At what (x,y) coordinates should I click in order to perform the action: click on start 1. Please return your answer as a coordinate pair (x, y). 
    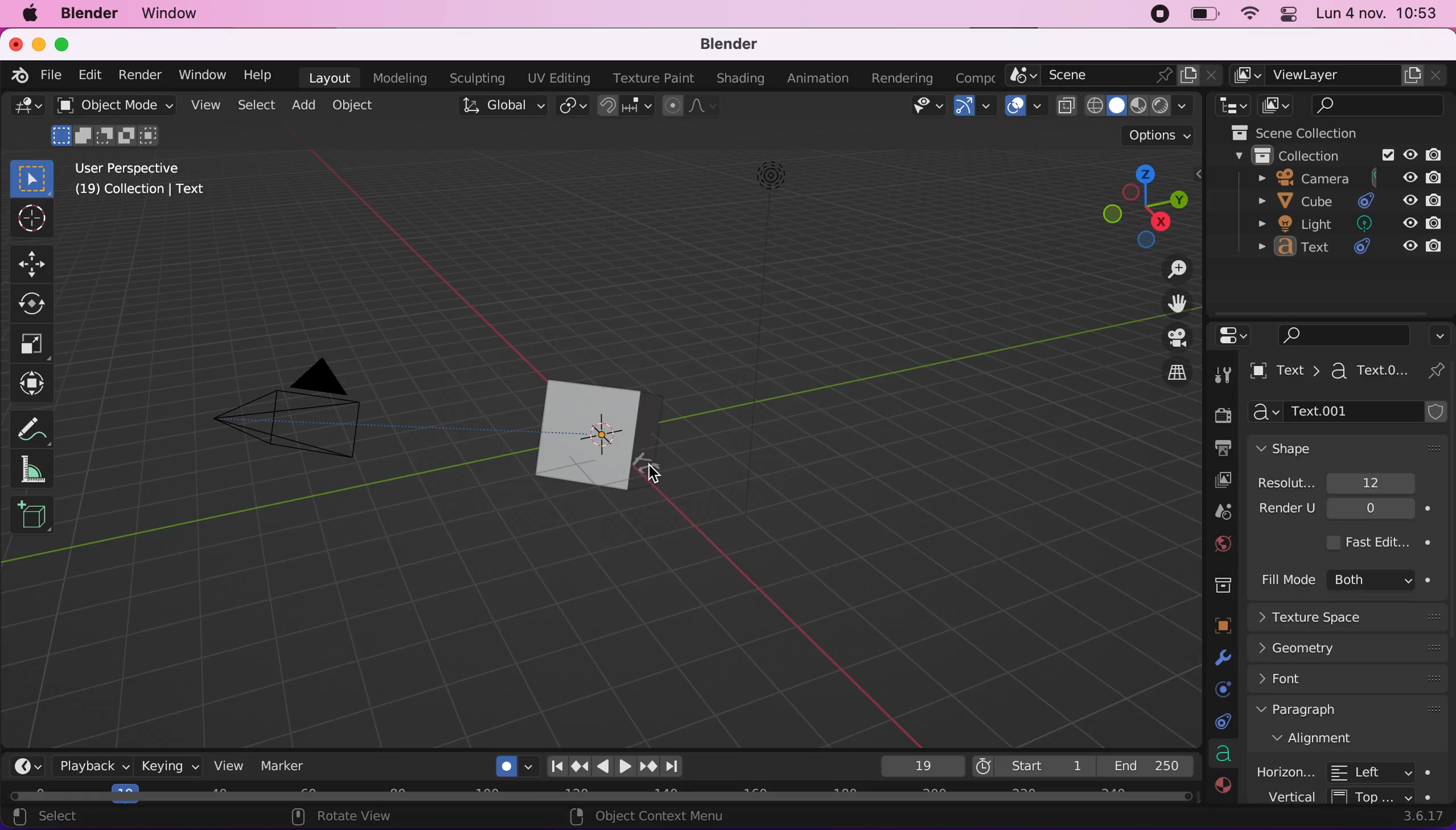
    Looking at the image, I should click on (1029, 766).